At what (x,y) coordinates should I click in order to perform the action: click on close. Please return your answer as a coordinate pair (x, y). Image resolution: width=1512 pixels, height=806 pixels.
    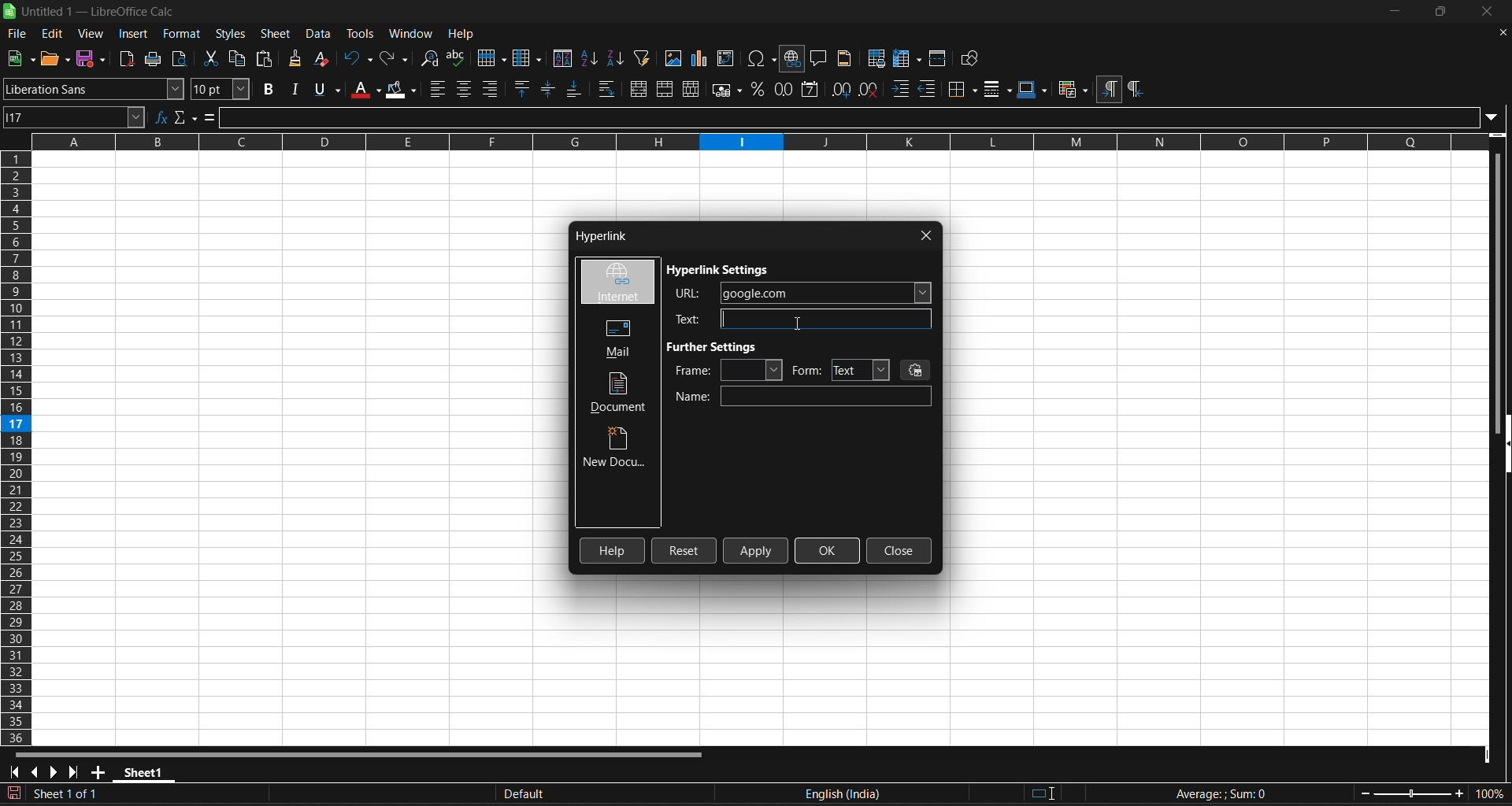
    Looking at the image, I should click on (899, 551).